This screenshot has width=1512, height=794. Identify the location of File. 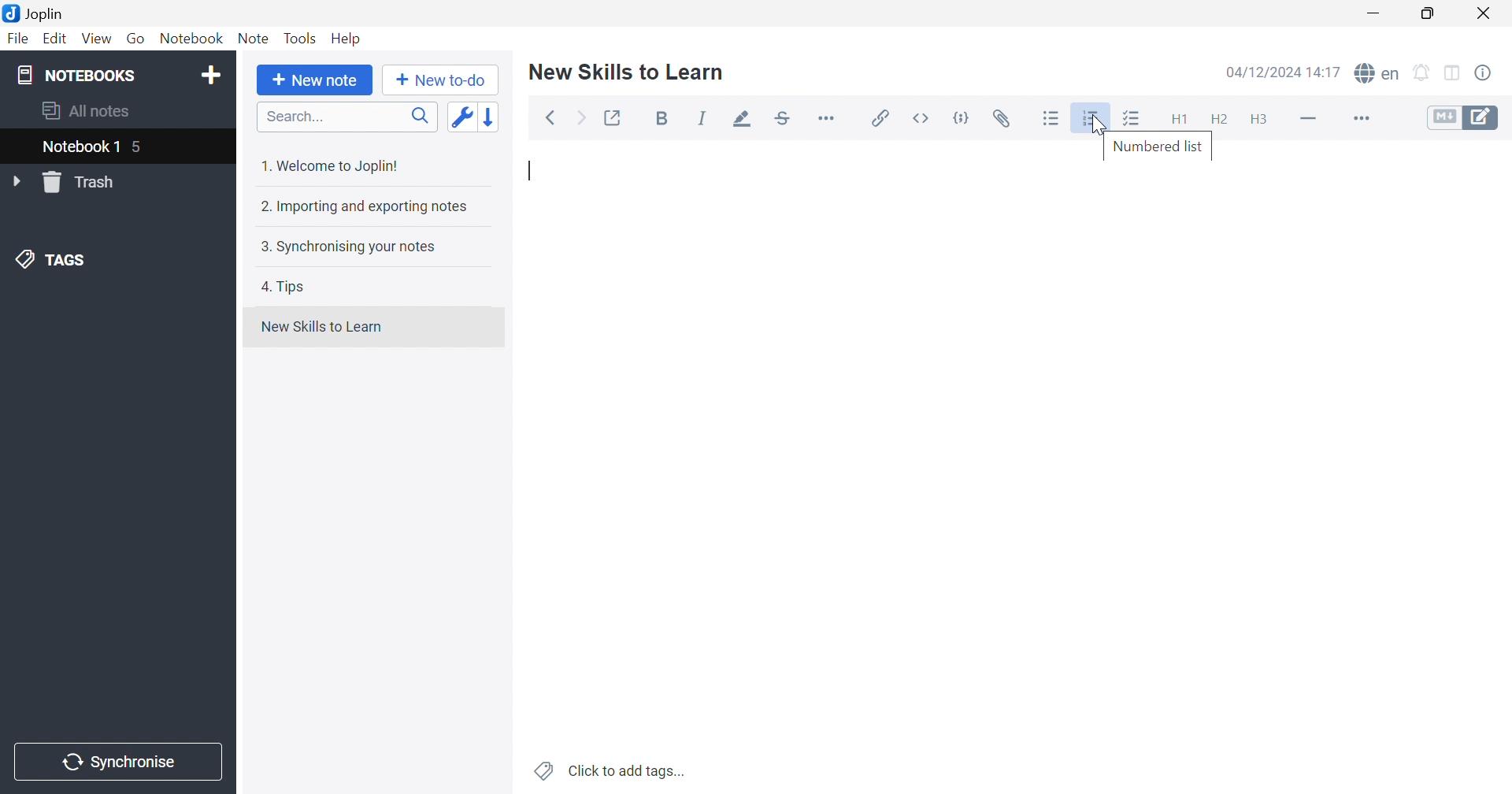
(19, 39).